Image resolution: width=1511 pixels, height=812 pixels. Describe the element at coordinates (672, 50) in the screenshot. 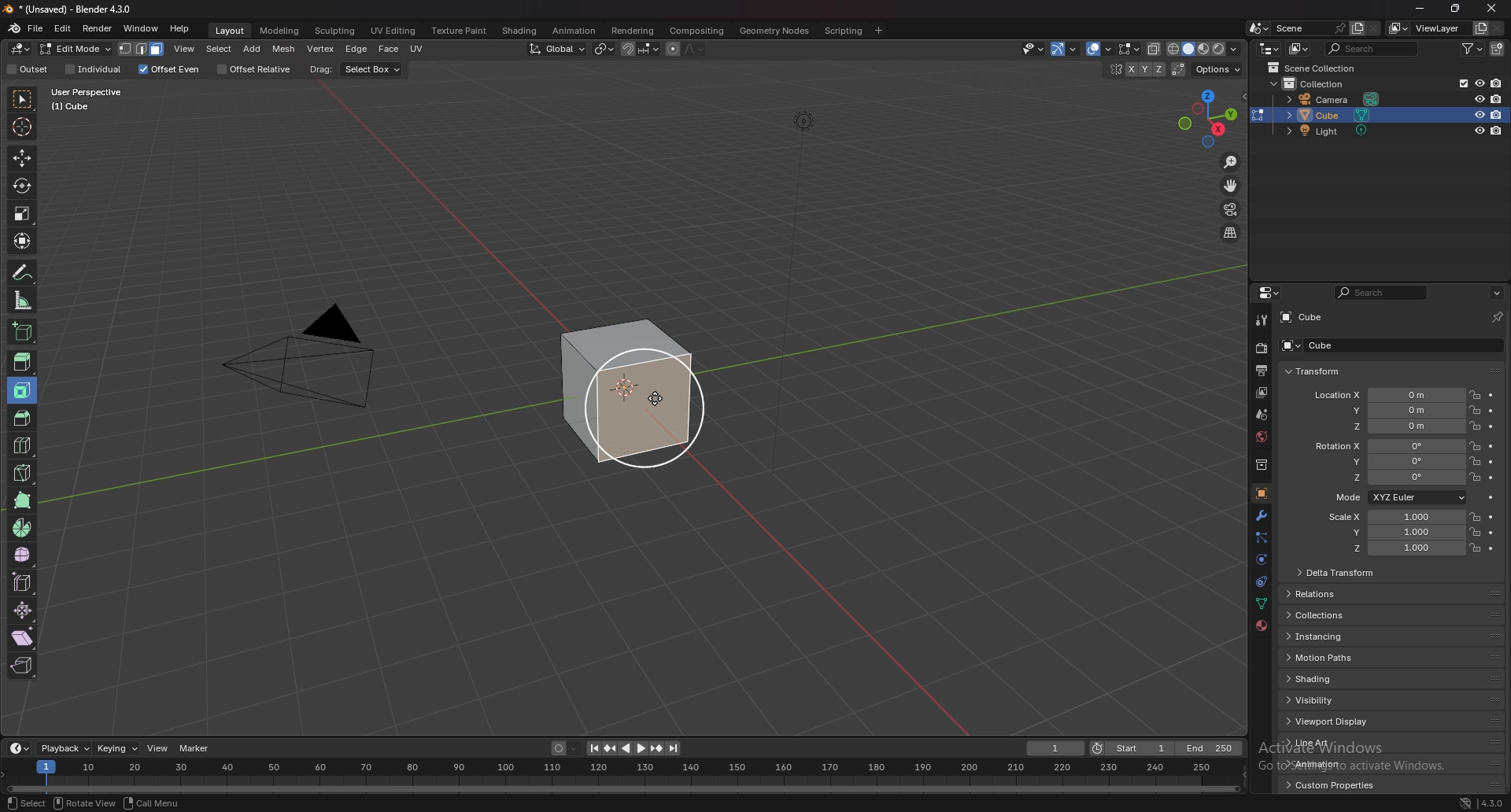

I see `proportional editing objects` at that location.